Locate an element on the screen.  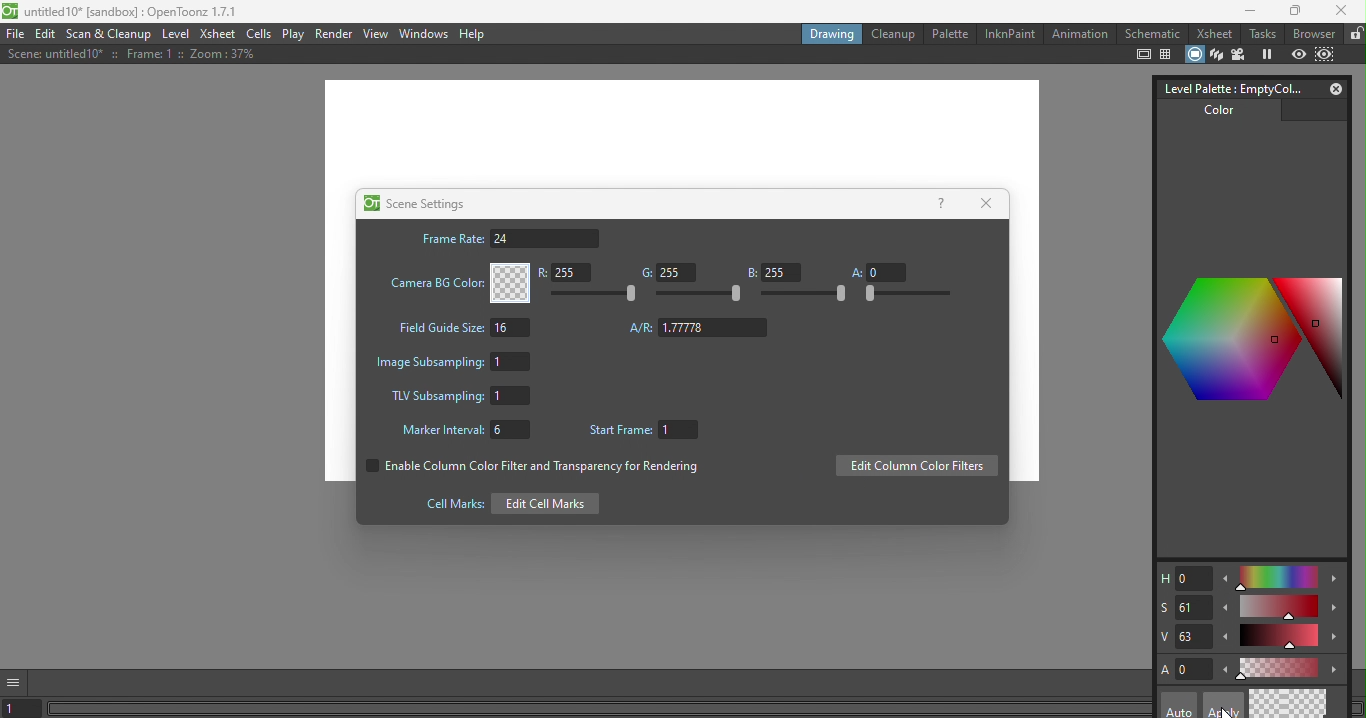
R is located at coordinates (569, 274).